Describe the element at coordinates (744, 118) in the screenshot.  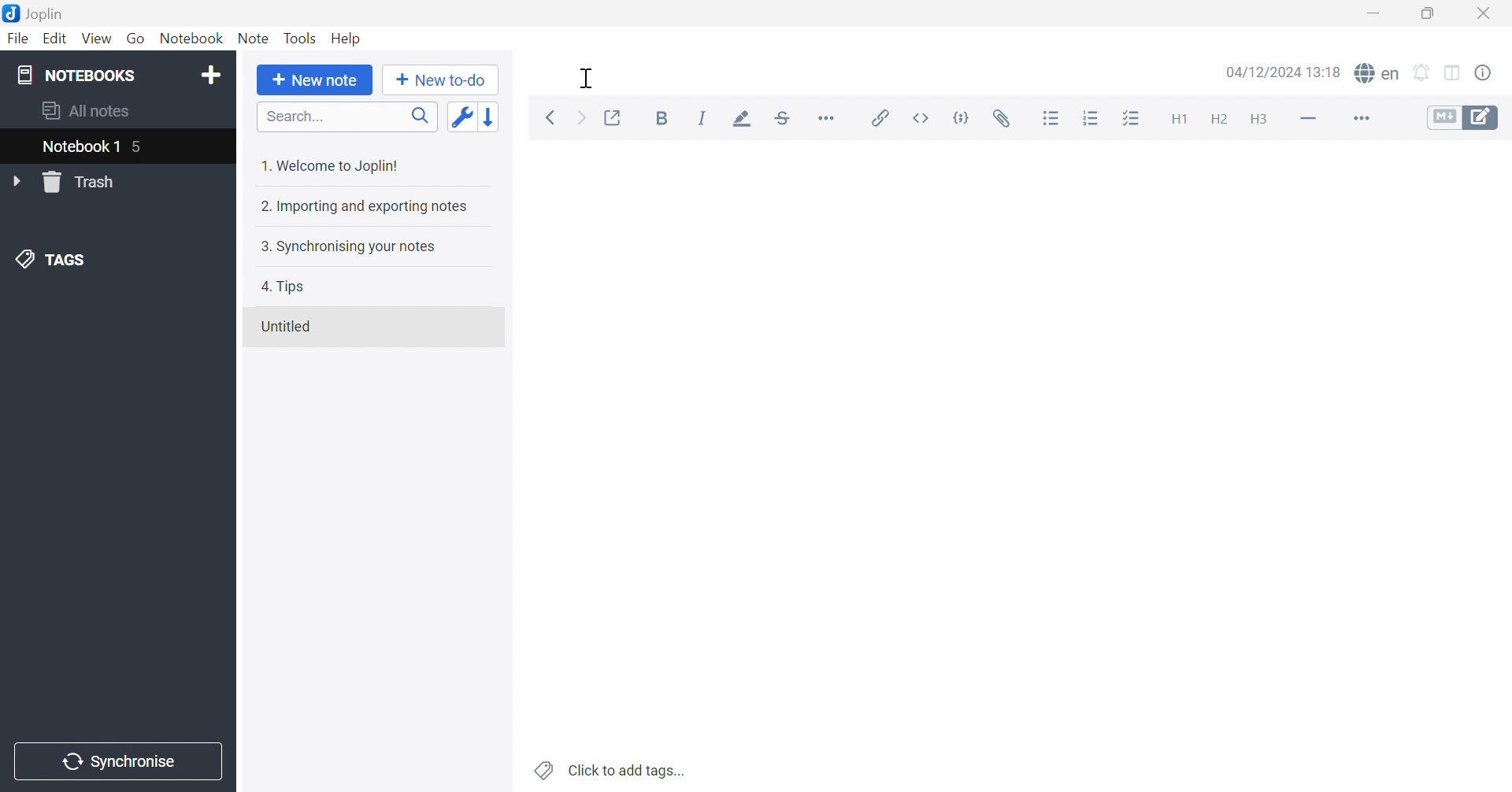
I see `Highlight` at that location.